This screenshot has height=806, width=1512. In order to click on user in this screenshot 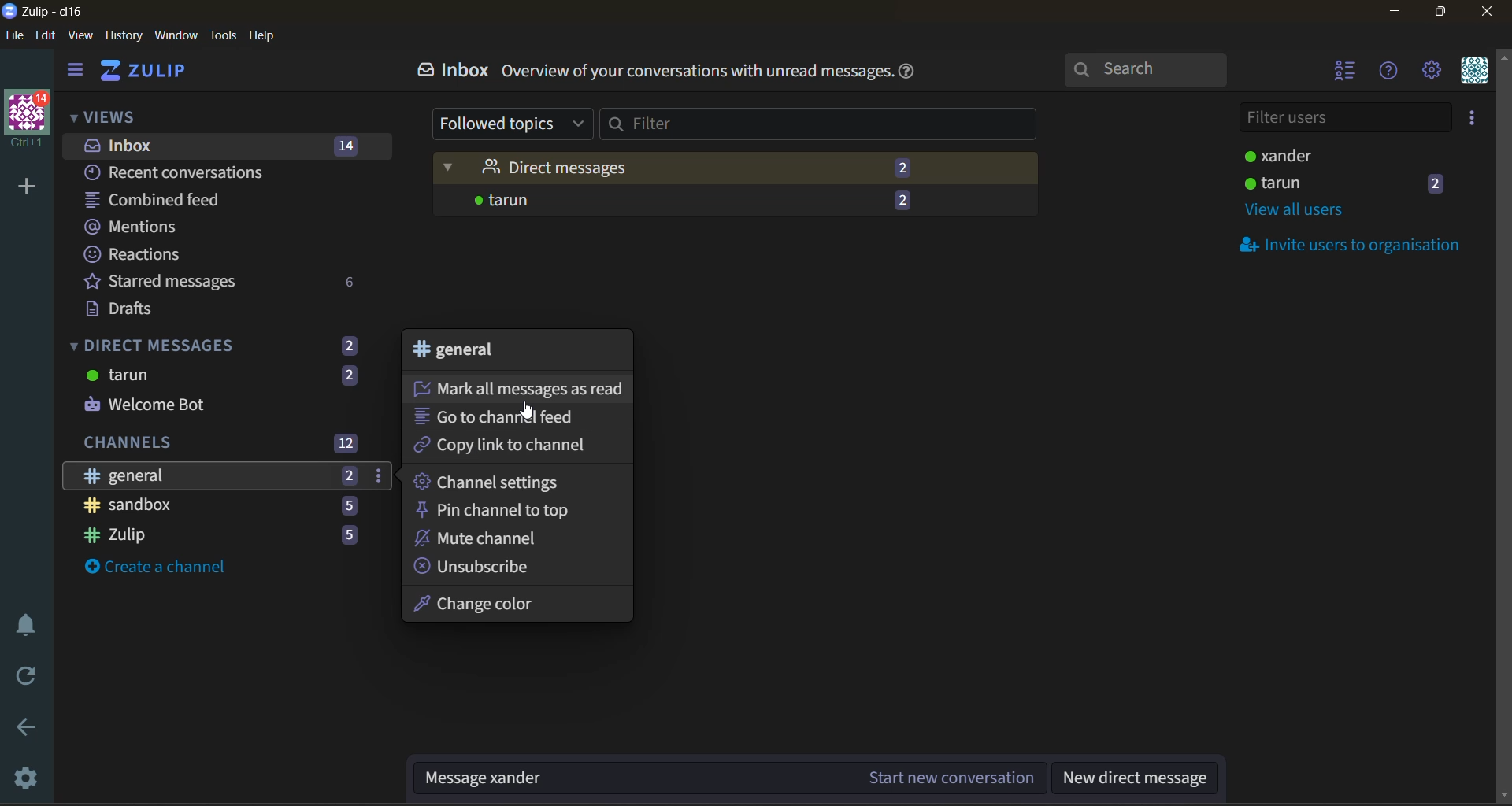, I will do `click(1357, 183)`.